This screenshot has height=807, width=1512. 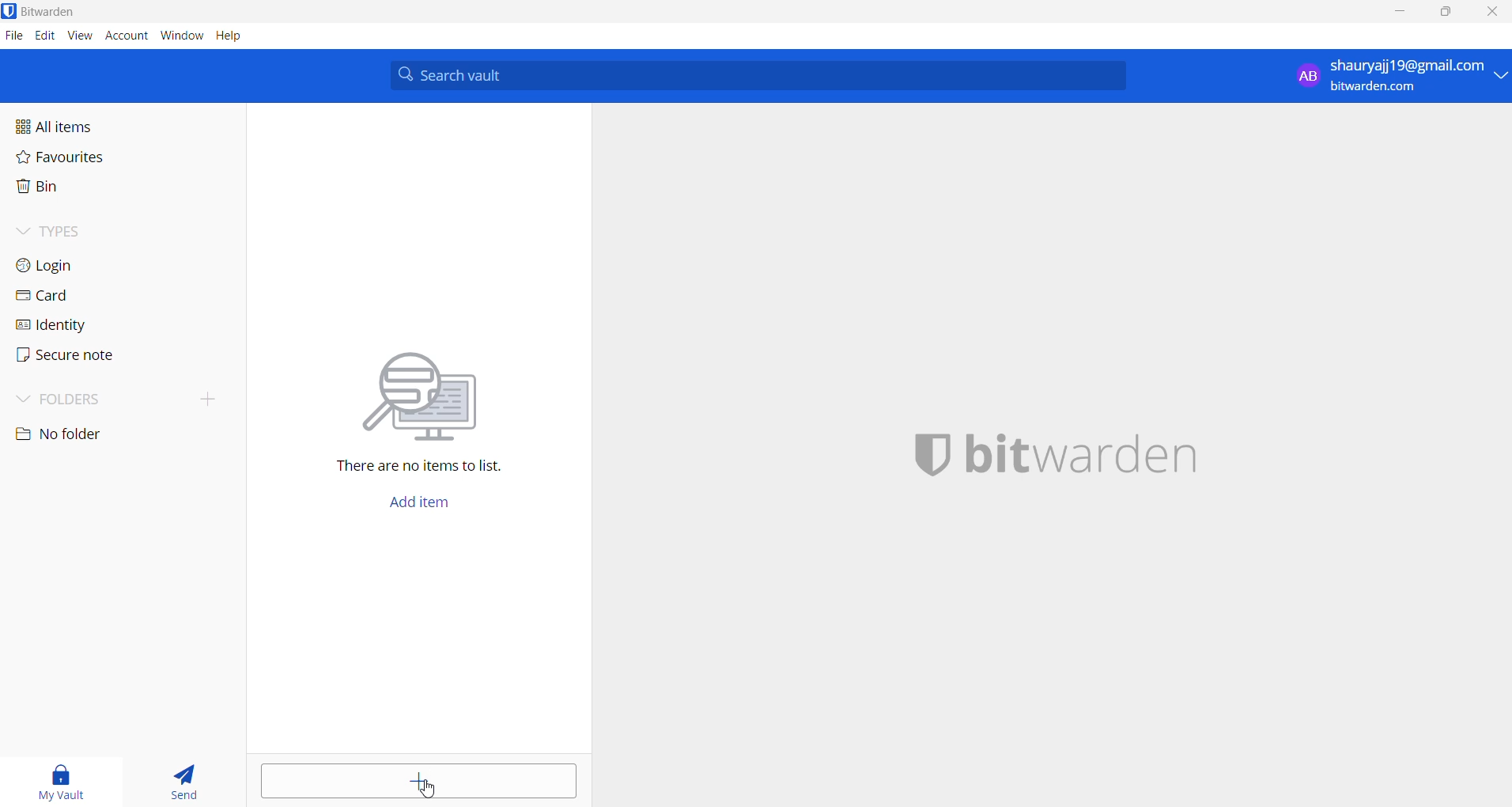 What do you see at coordinates (10, 11) in the screenshot?
I see `application logo` at bounding box center [10, 11].